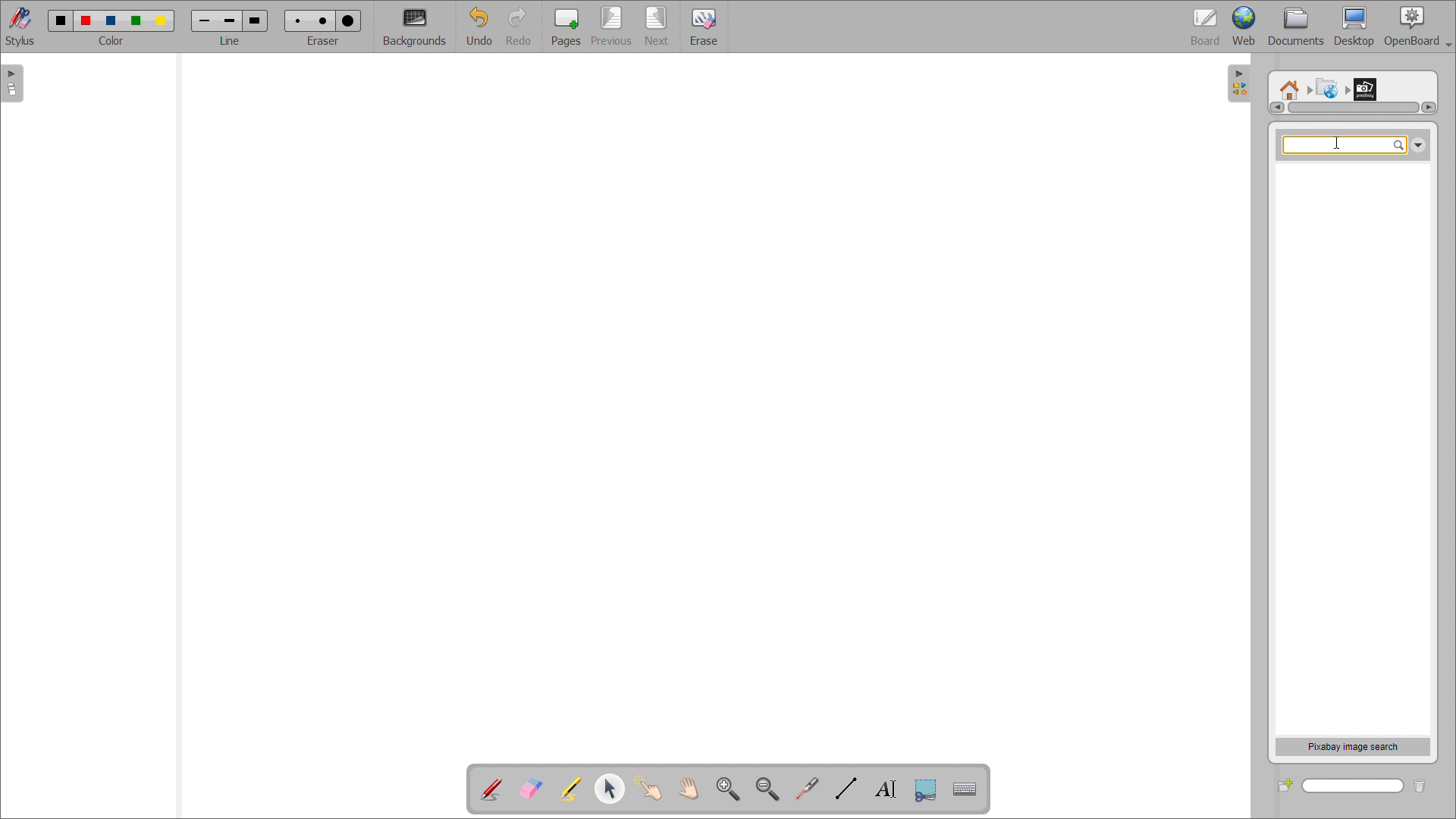 The width and height of the screenshot is (1456, 819). Describe the element at coordinates (20, 26) in the screenshot. I see `toggle stylus` at that location.